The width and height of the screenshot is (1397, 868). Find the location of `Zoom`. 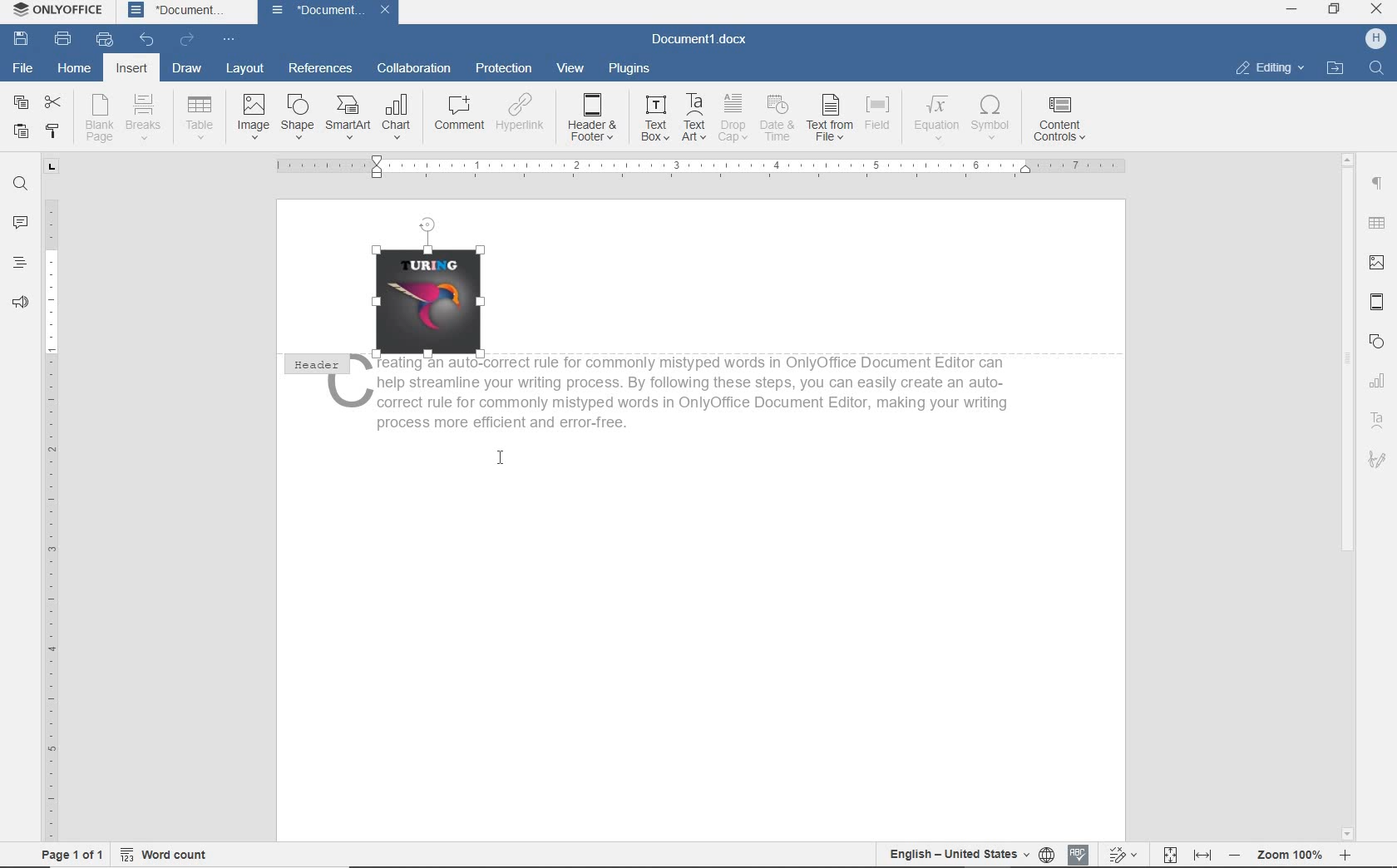

Zoom is located at coordinates (1287, 856).